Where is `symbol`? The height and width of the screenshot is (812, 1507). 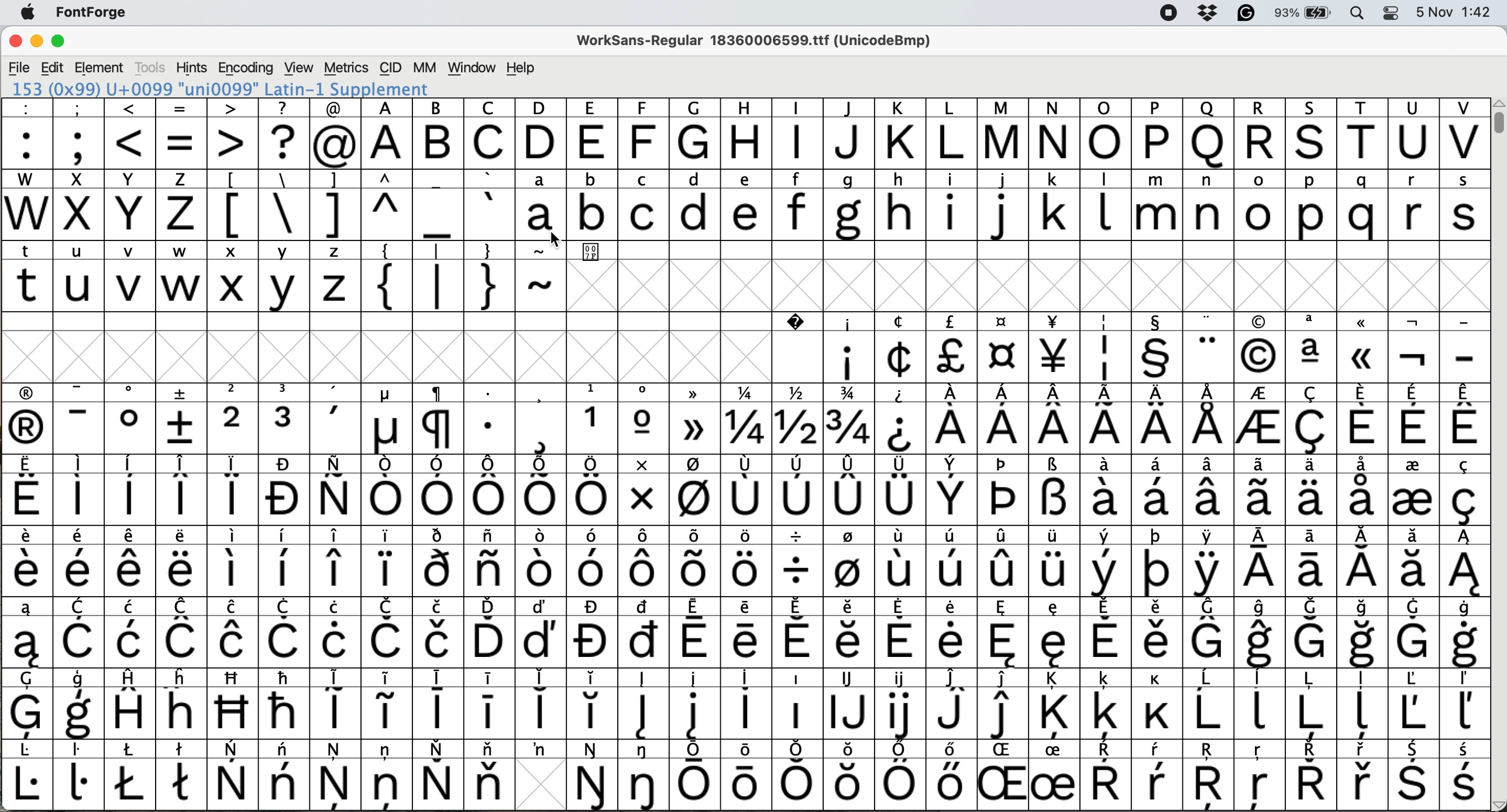 symbol is located at coordinates (1107, 490).